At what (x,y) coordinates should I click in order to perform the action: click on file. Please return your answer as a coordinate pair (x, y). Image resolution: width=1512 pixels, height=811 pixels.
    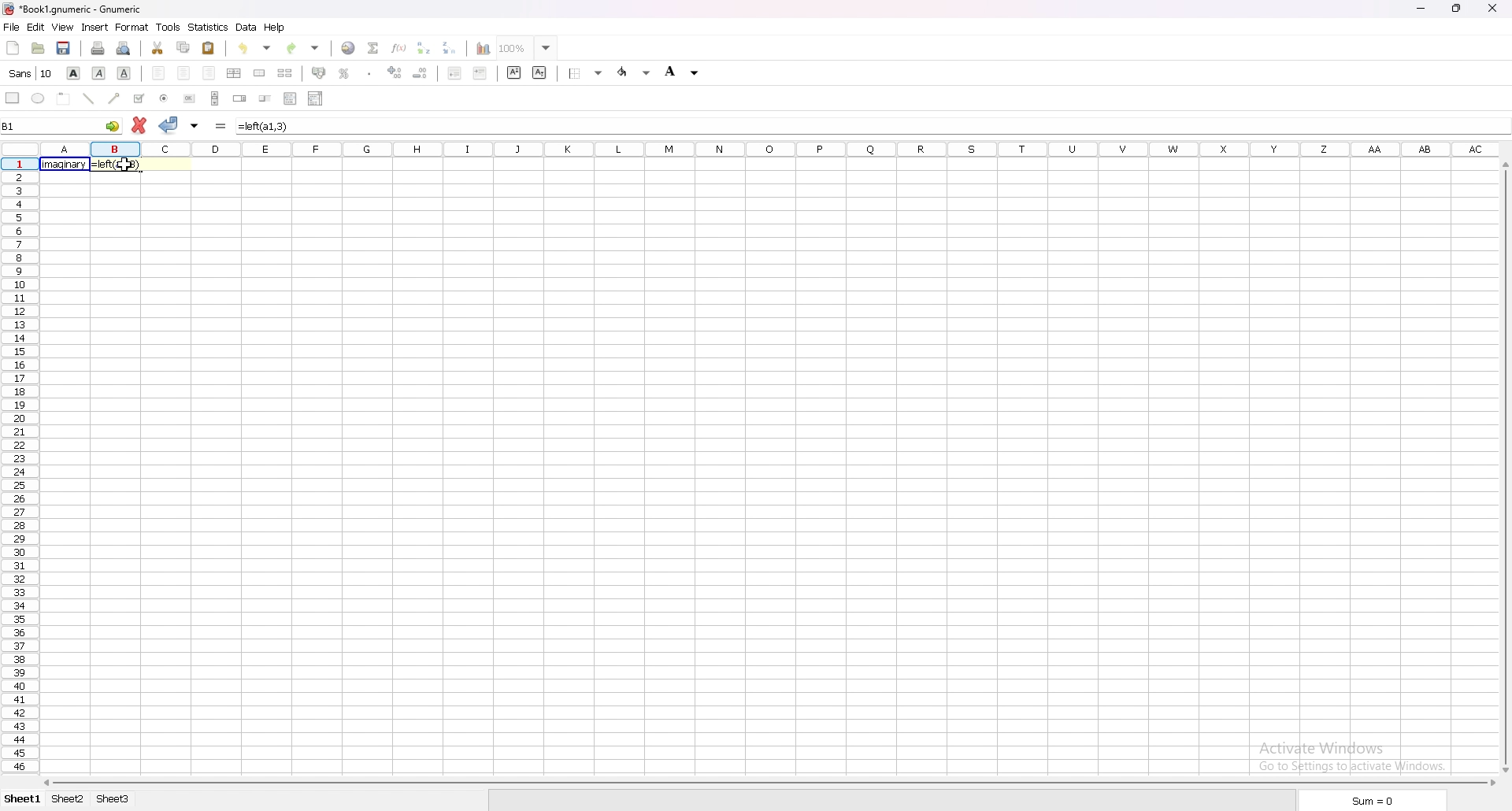
    Looking at the image, I should click on (12, 27).